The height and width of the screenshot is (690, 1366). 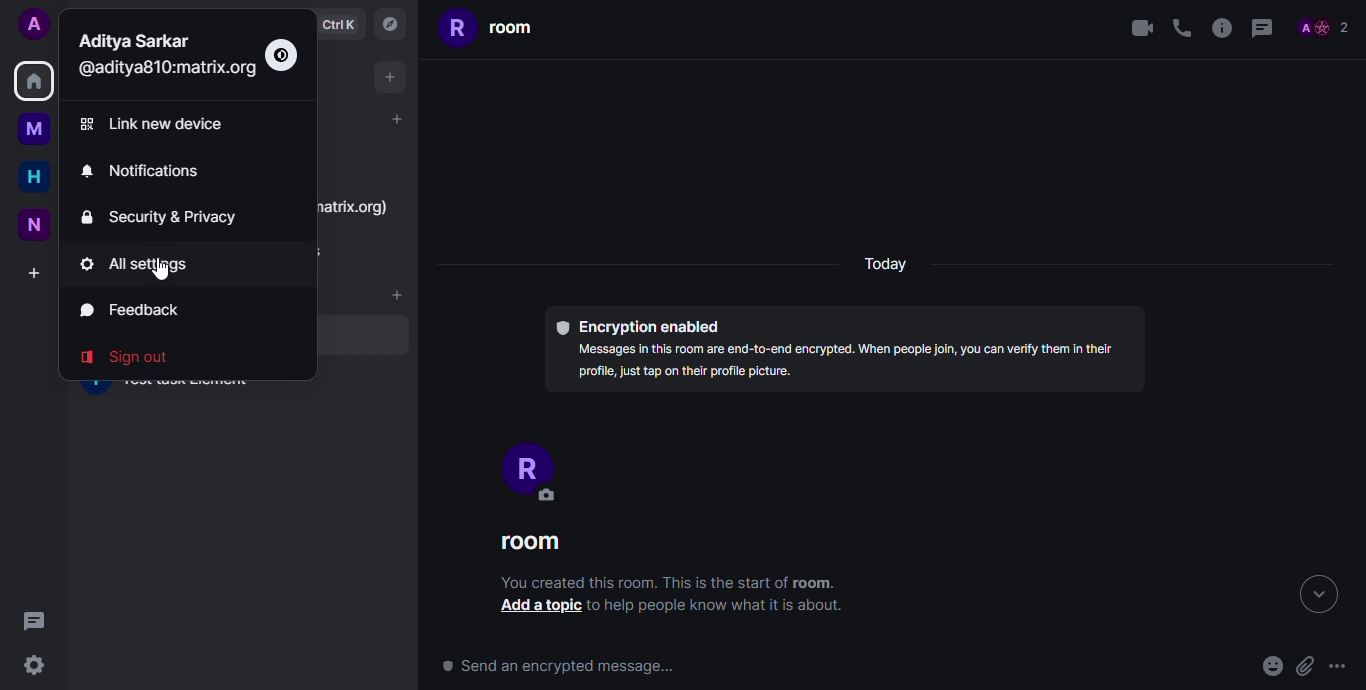 I want to click on new, so click(x=36, y=223).